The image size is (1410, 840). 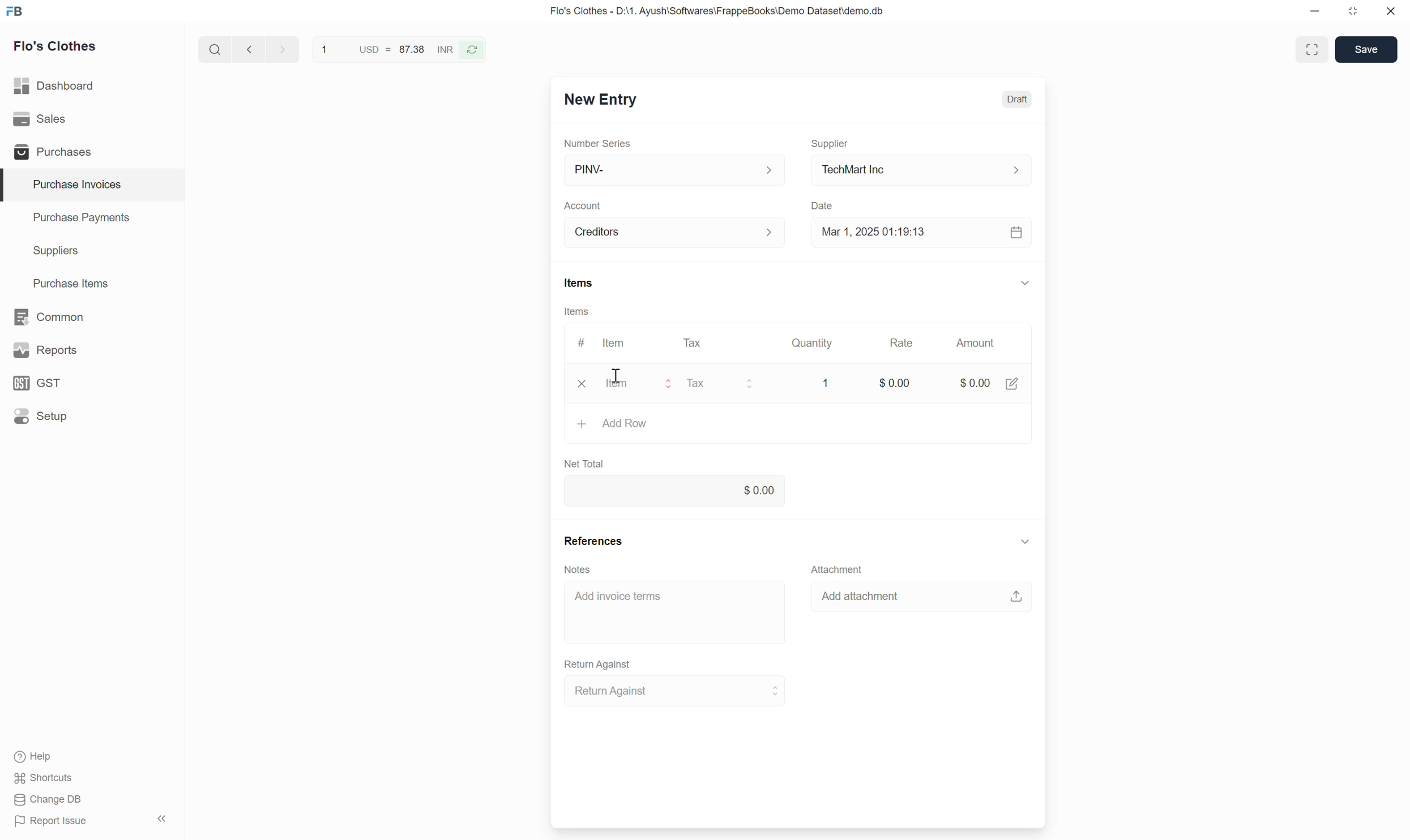 I want to click on Setup, so click(x=43, y=416).